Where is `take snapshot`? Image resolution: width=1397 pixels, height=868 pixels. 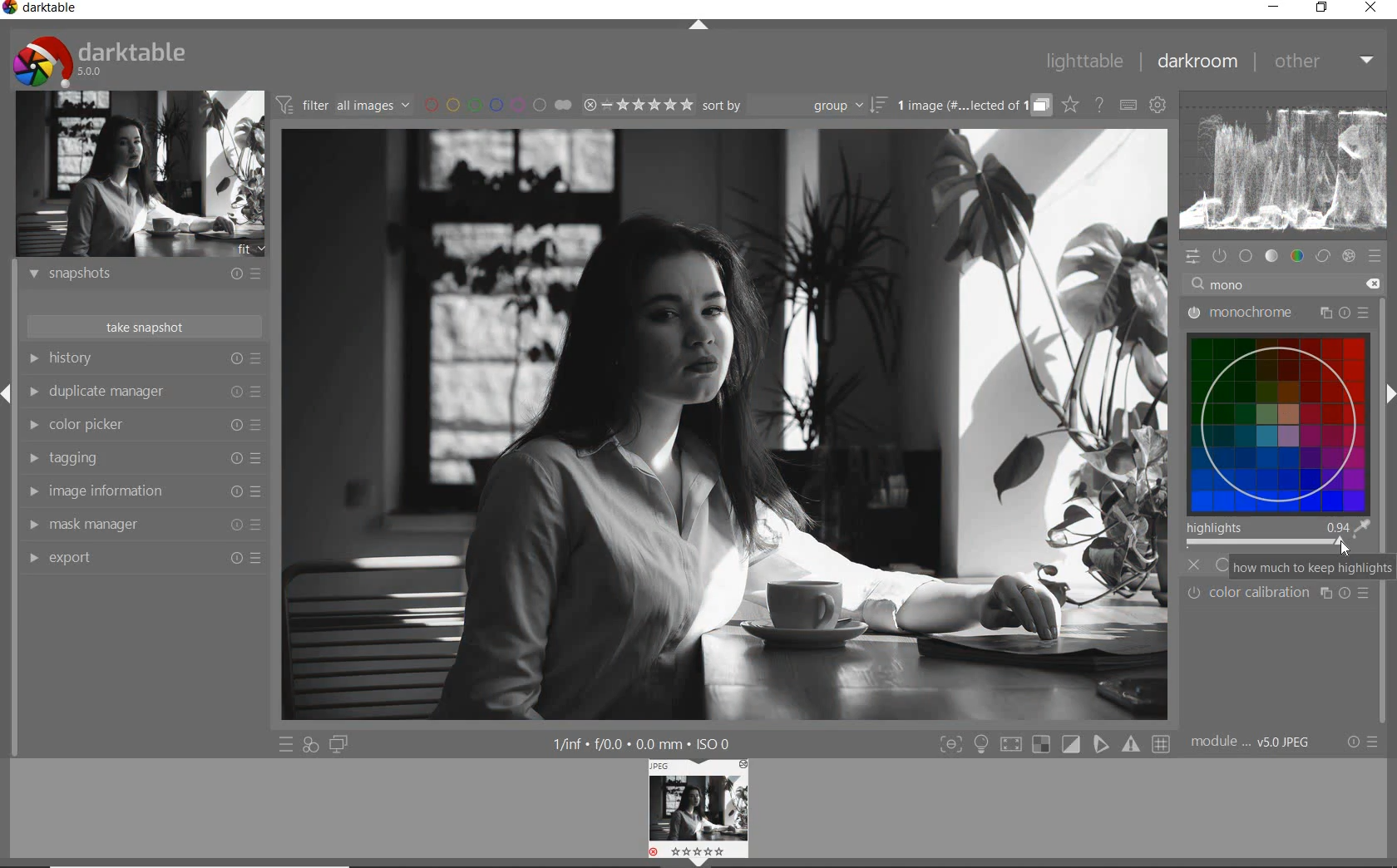 take snapshot is located at coordinates (143, 326).